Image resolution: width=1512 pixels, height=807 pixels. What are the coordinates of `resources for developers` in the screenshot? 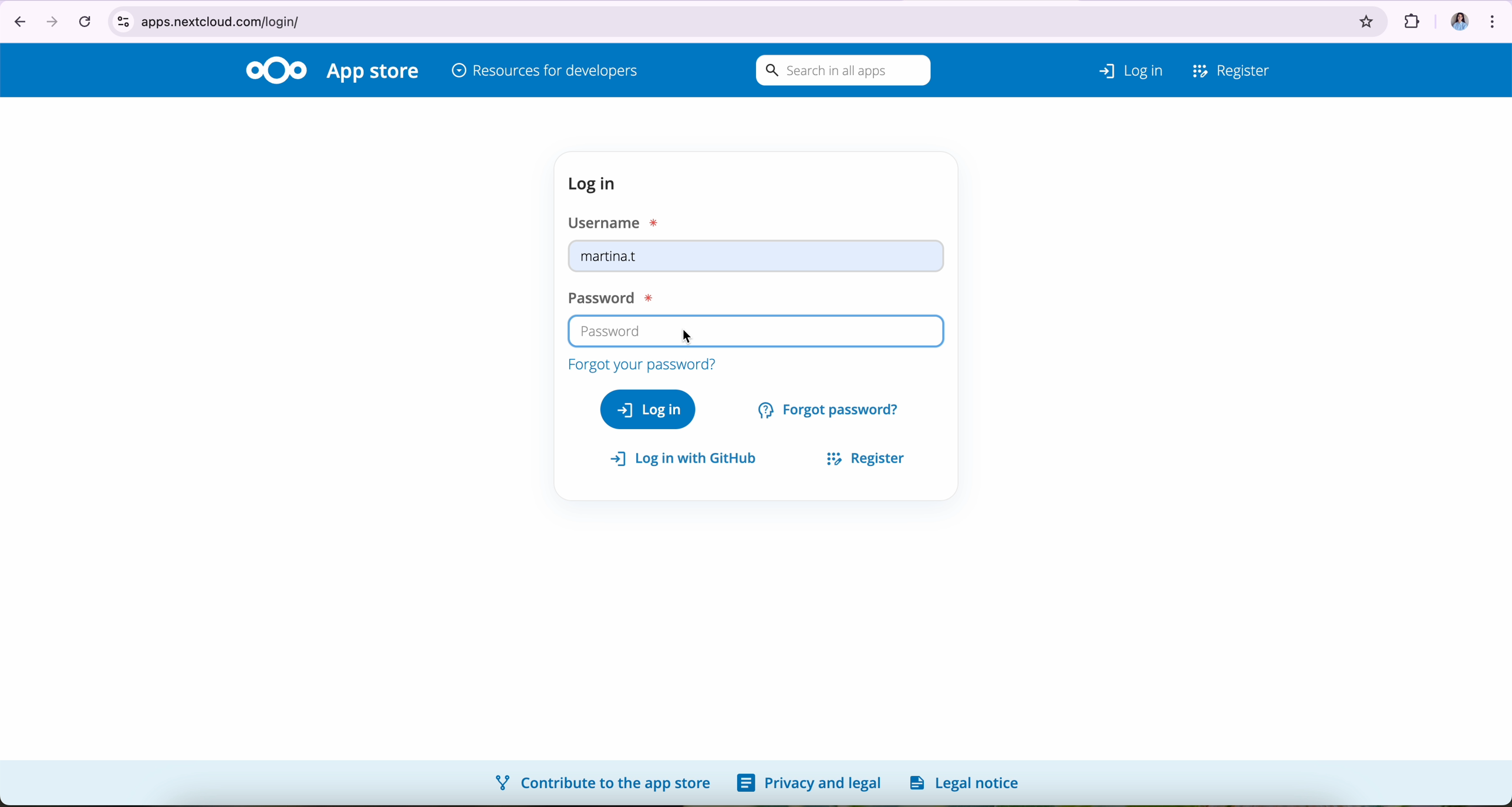 It's located at (545, 72).